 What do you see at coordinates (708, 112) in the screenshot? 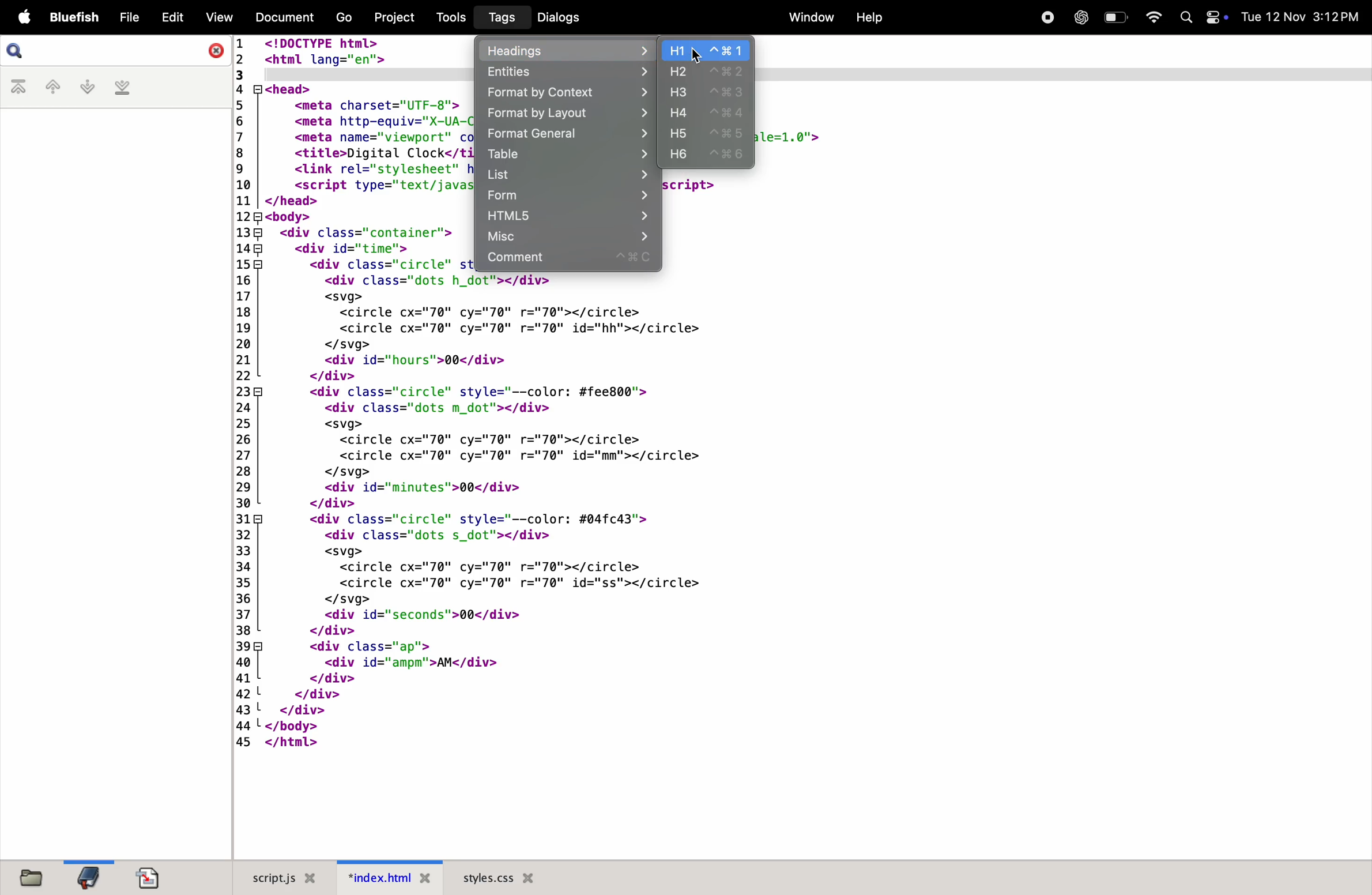
I see `H4` at bounding box center [708, 112].